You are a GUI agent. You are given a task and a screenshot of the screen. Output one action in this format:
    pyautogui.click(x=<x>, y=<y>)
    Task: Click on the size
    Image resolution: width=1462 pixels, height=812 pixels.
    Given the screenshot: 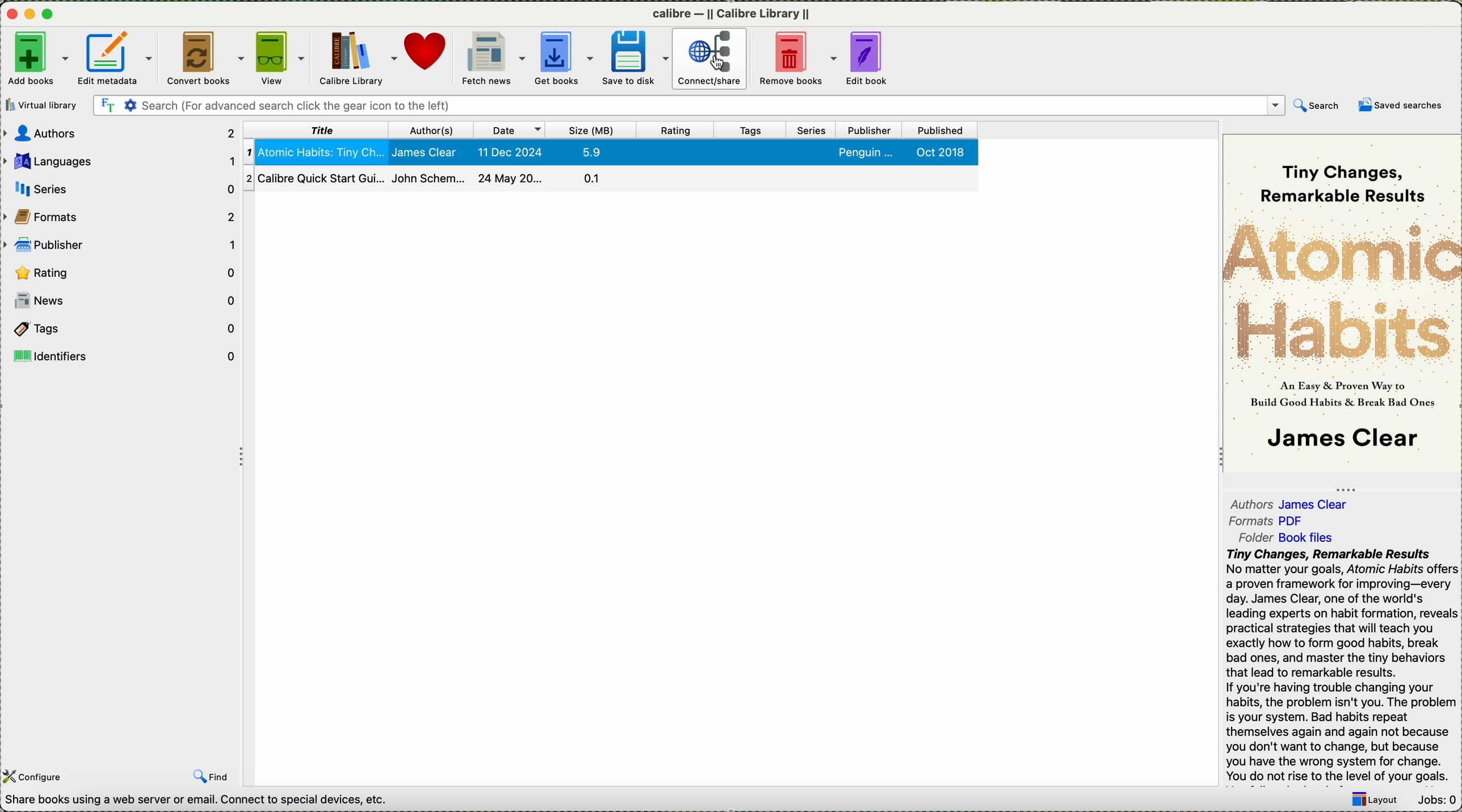 What is the action you would take?
    pyautogui.click(x=592, y=129)
    